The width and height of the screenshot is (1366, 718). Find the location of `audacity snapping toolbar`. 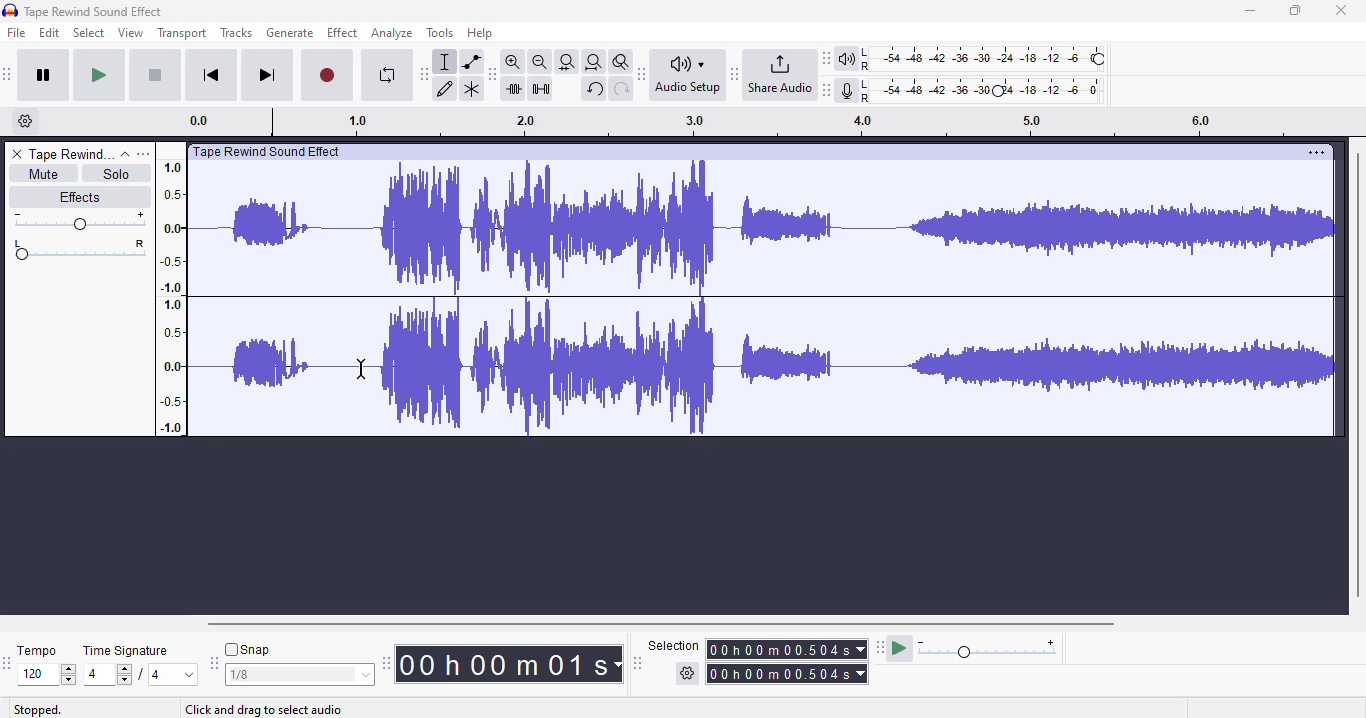

audacity snapping toolbar is located at coordinates (213, 662).